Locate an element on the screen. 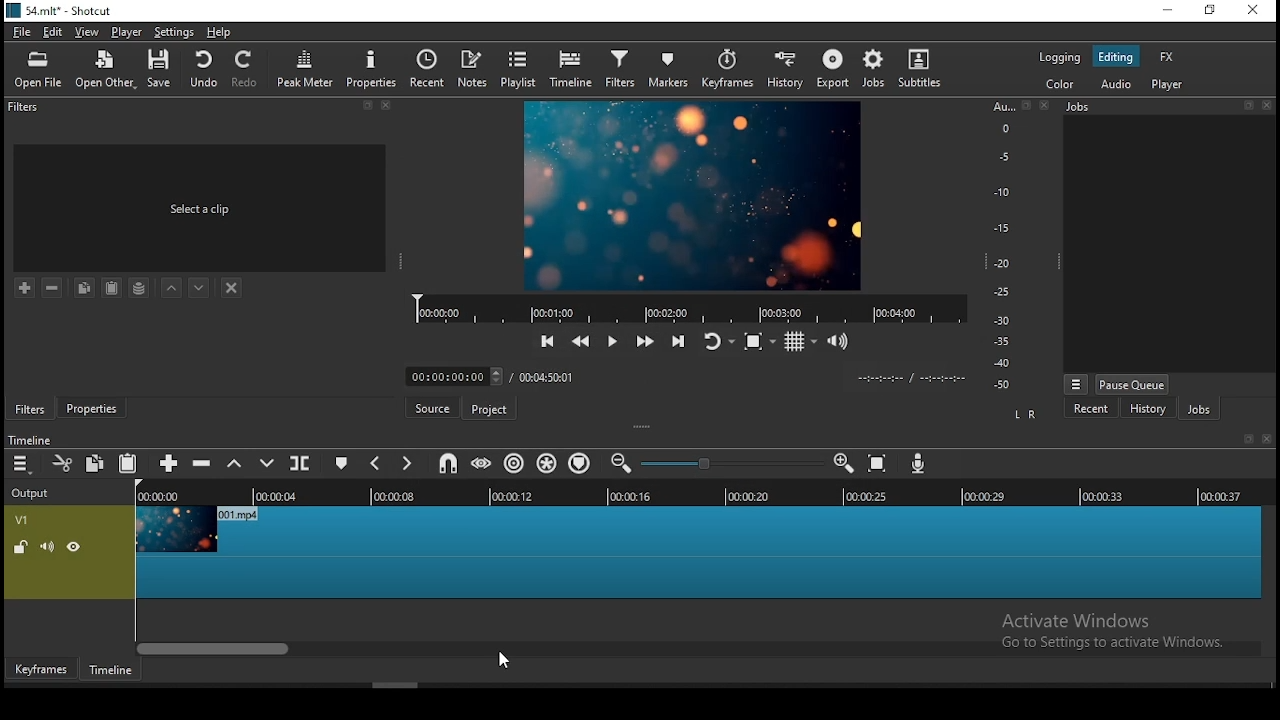  filter is located at coordinates (621, 70).